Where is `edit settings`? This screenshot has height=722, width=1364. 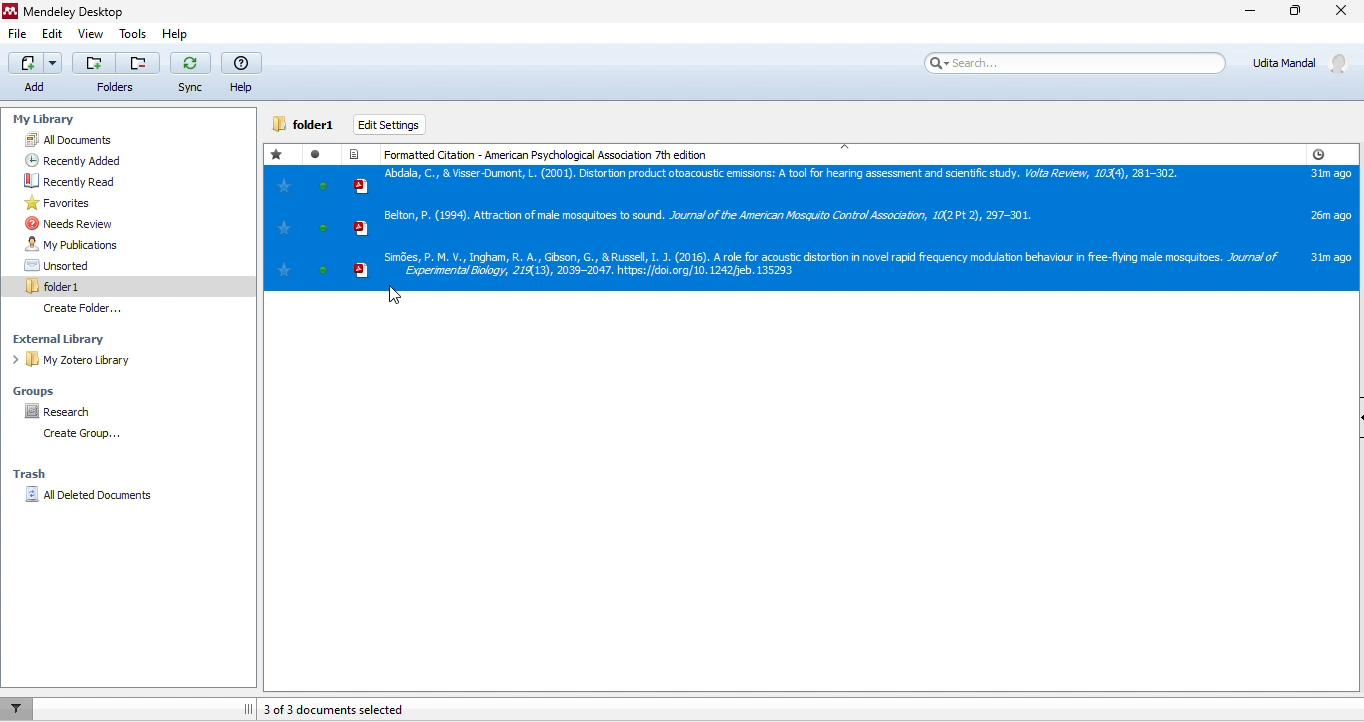
edit settings is located at coordinates (392, 125).